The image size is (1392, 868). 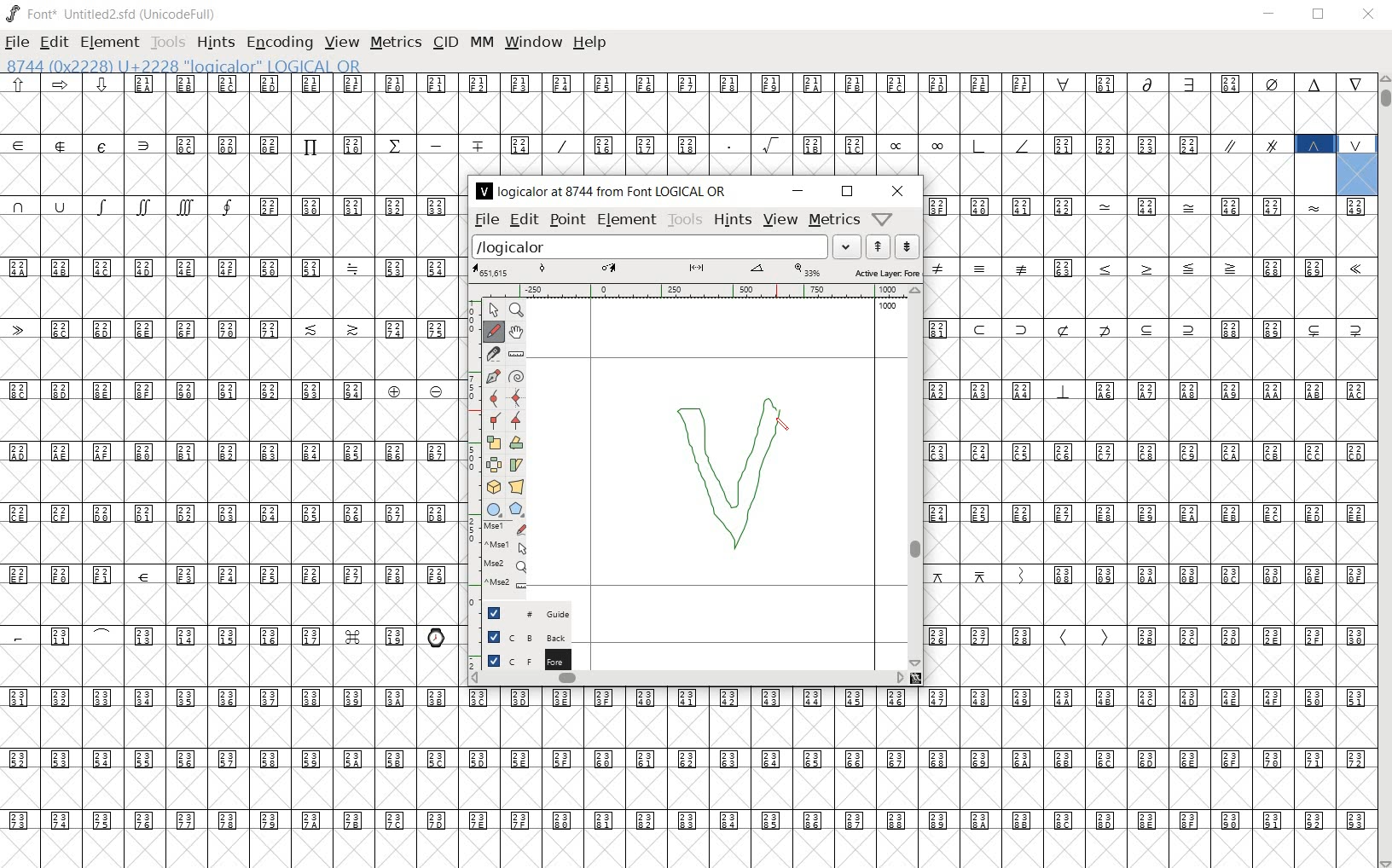 What do you see at coordinates (494, 443) in the screenshot?
I see `scale the selection` at bounding box center [494, 443].